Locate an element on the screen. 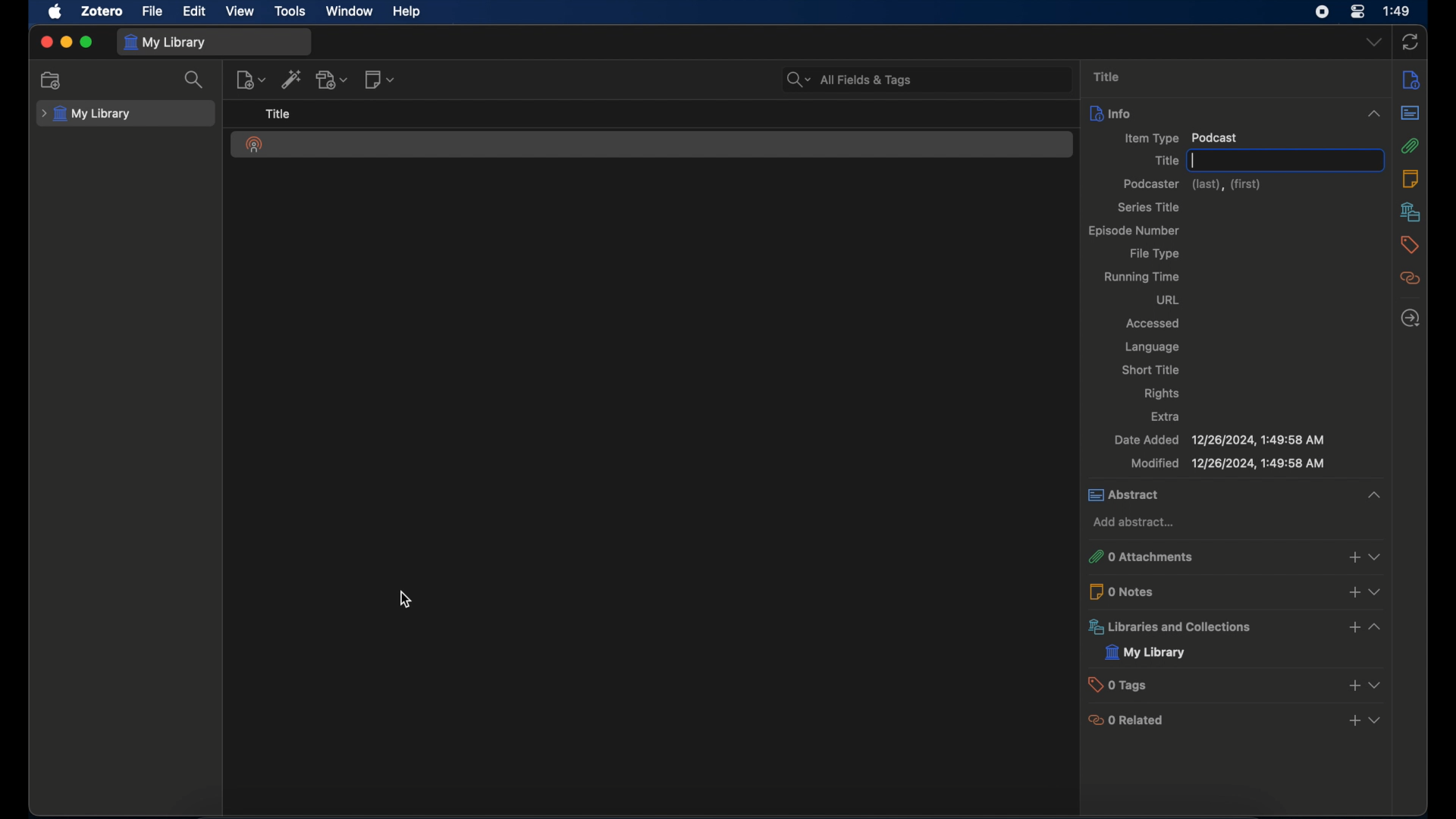 This screenshot has height=819, width=1456. title is located at coordinates (1109, 76).